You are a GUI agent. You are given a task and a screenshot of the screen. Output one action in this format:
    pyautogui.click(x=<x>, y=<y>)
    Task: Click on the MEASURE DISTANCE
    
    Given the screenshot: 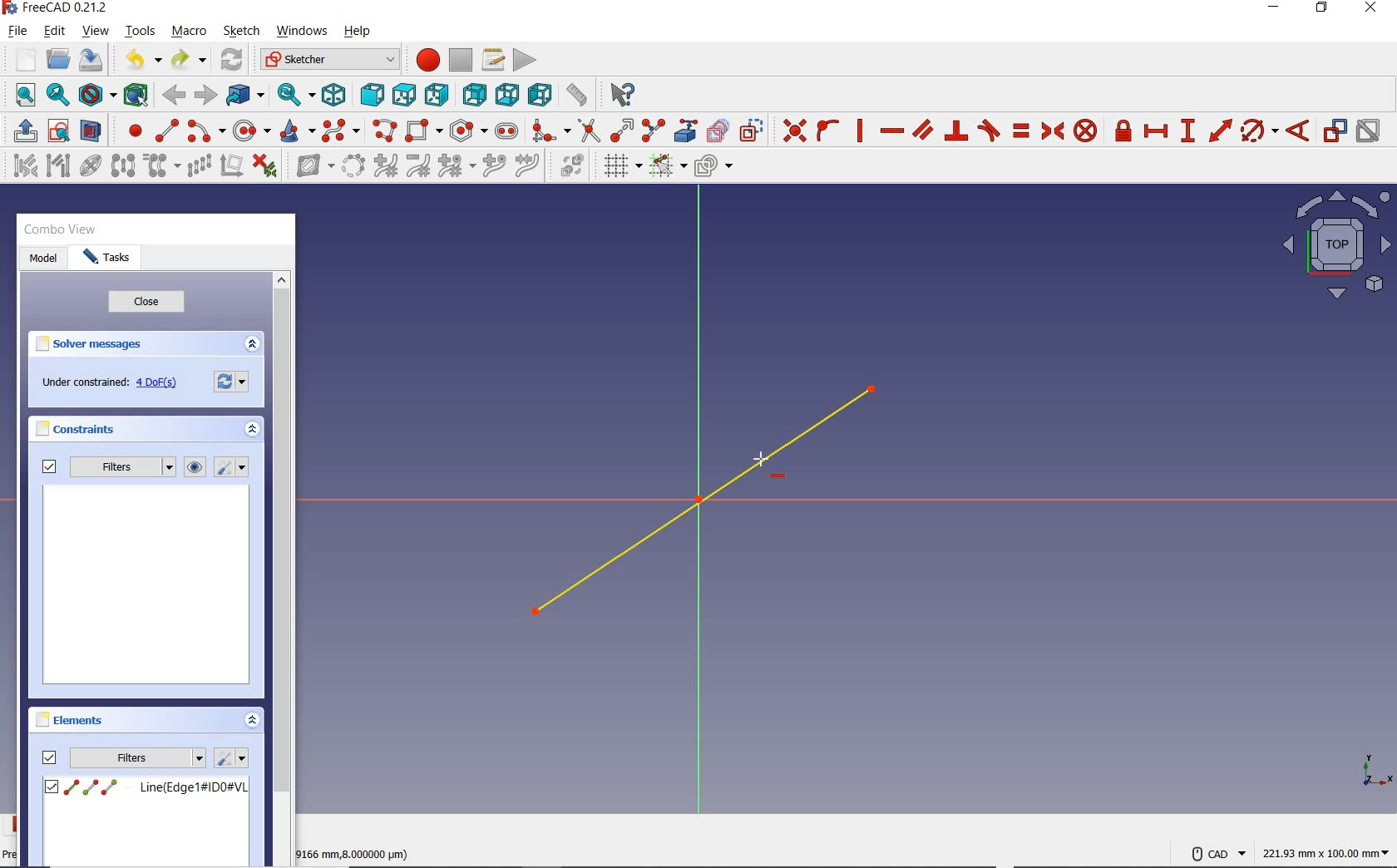 What is the action you would take?
    pyautogui.click(x=580, y=96)
    